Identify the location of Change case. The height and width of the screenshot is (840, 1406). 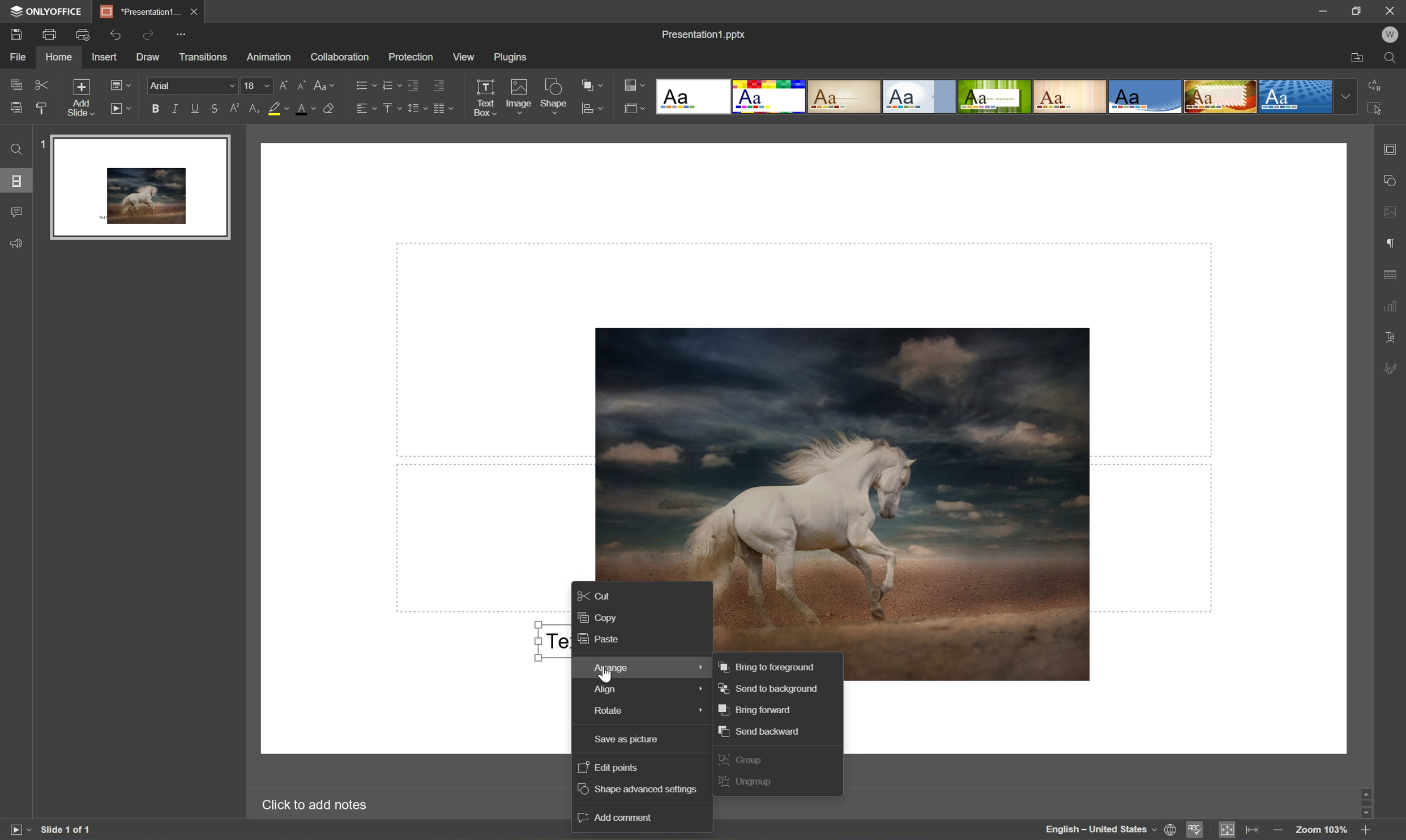
(327, 84).